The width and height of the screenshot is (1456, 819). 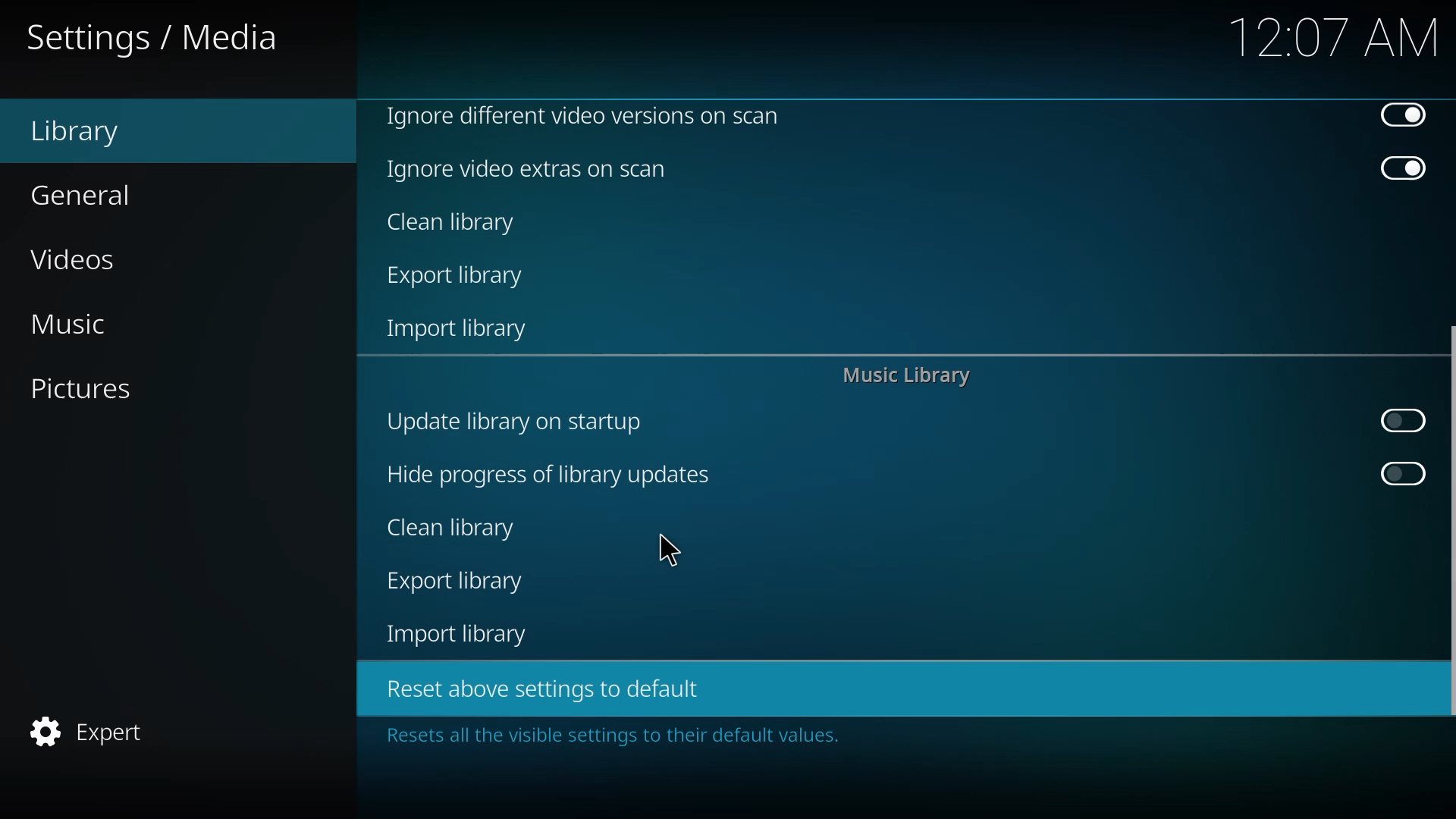 What do you see at coordinates (538, 687) in the screenshot?
I see `reset above settings` at bounding box center [538, 687].